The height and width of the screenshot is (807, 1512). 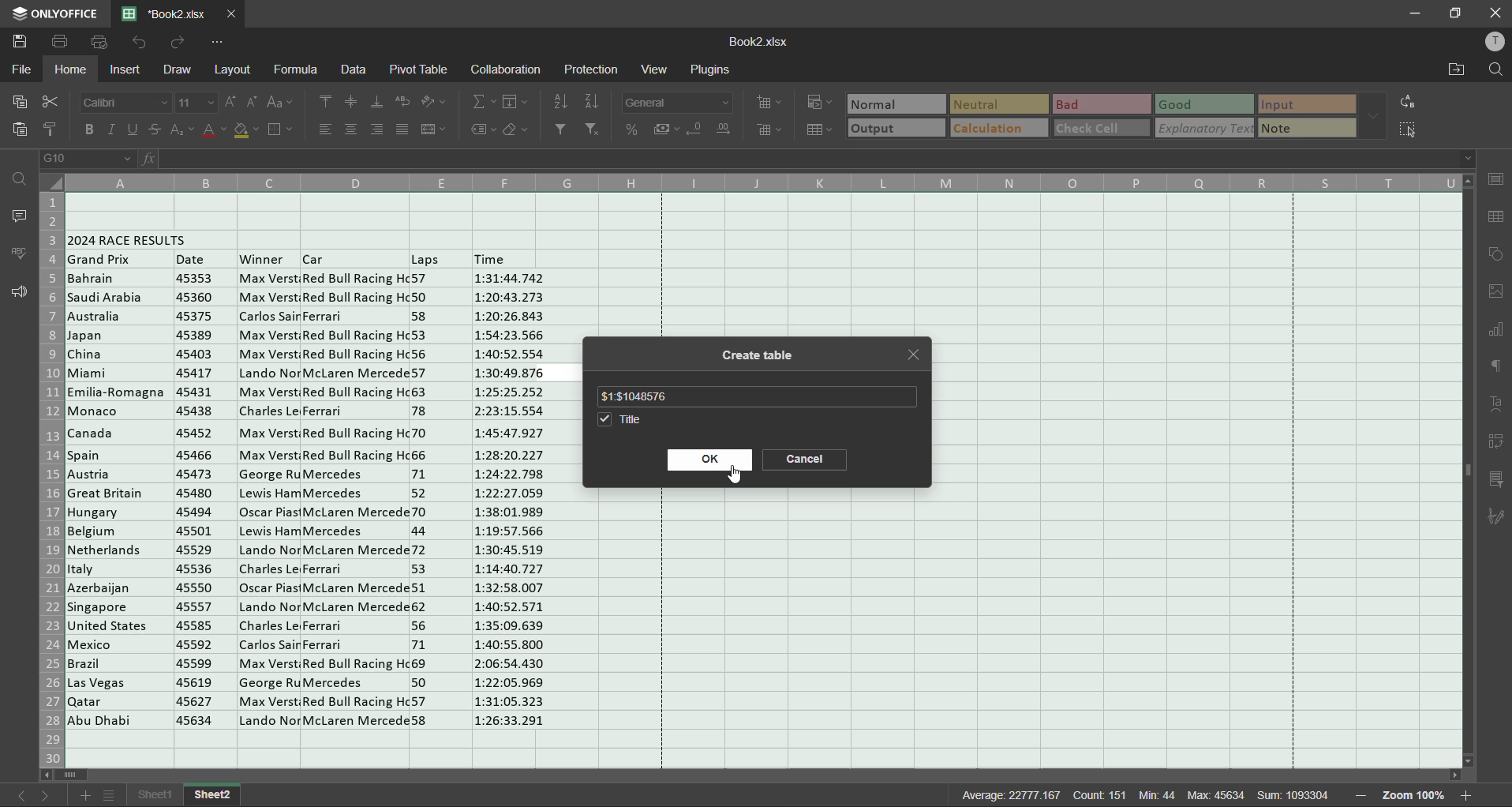 What do you see at coordinates (912, 355) in the screenshot?
I see `close tab` at bounding box center [912, 355].